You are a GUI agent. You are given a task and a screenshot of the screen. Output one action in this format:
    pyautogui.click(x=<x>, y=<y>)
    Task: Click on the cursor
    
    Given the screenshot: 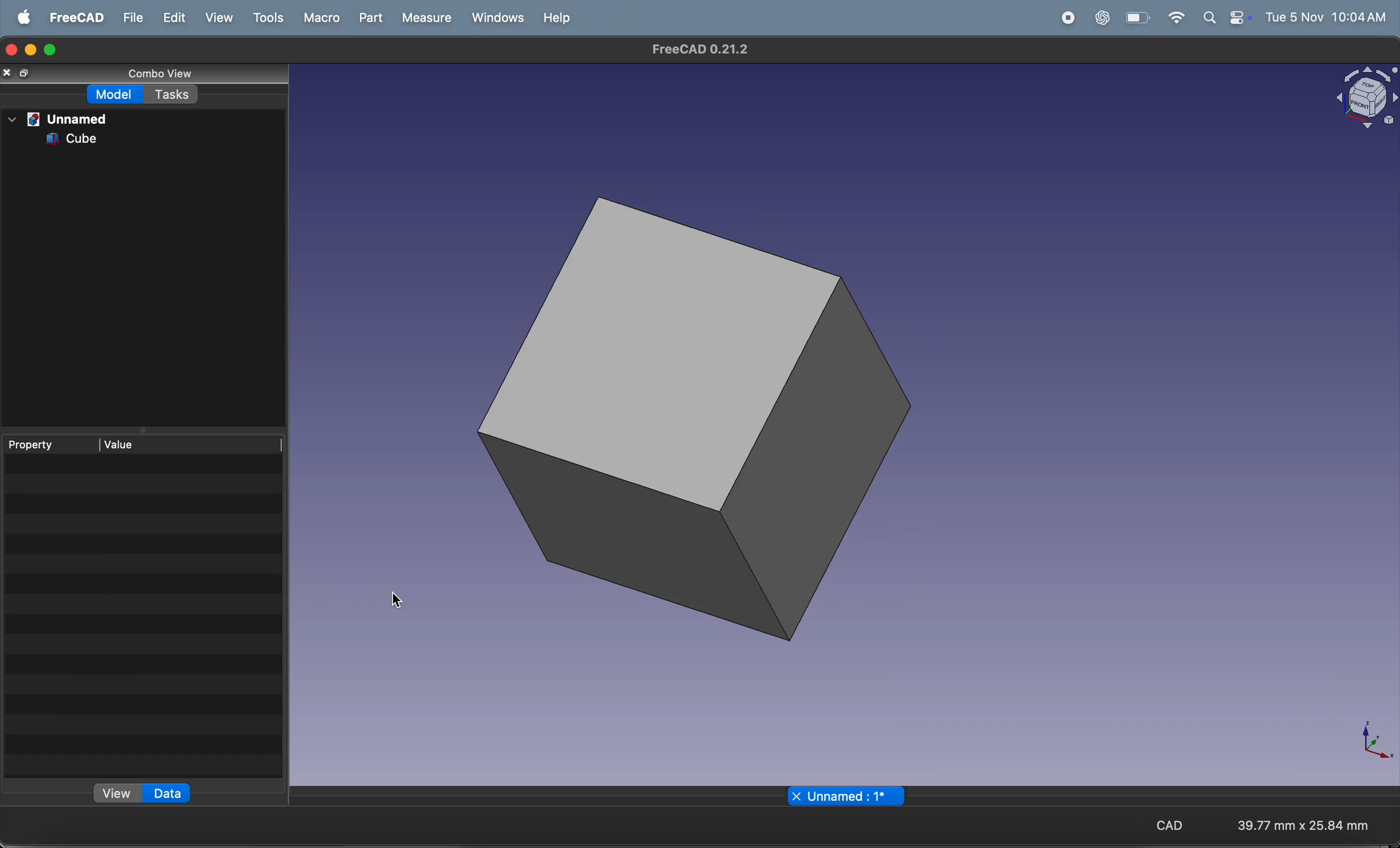 What is the action you would take?
    pyautogui.click(x=394, y=600)
    